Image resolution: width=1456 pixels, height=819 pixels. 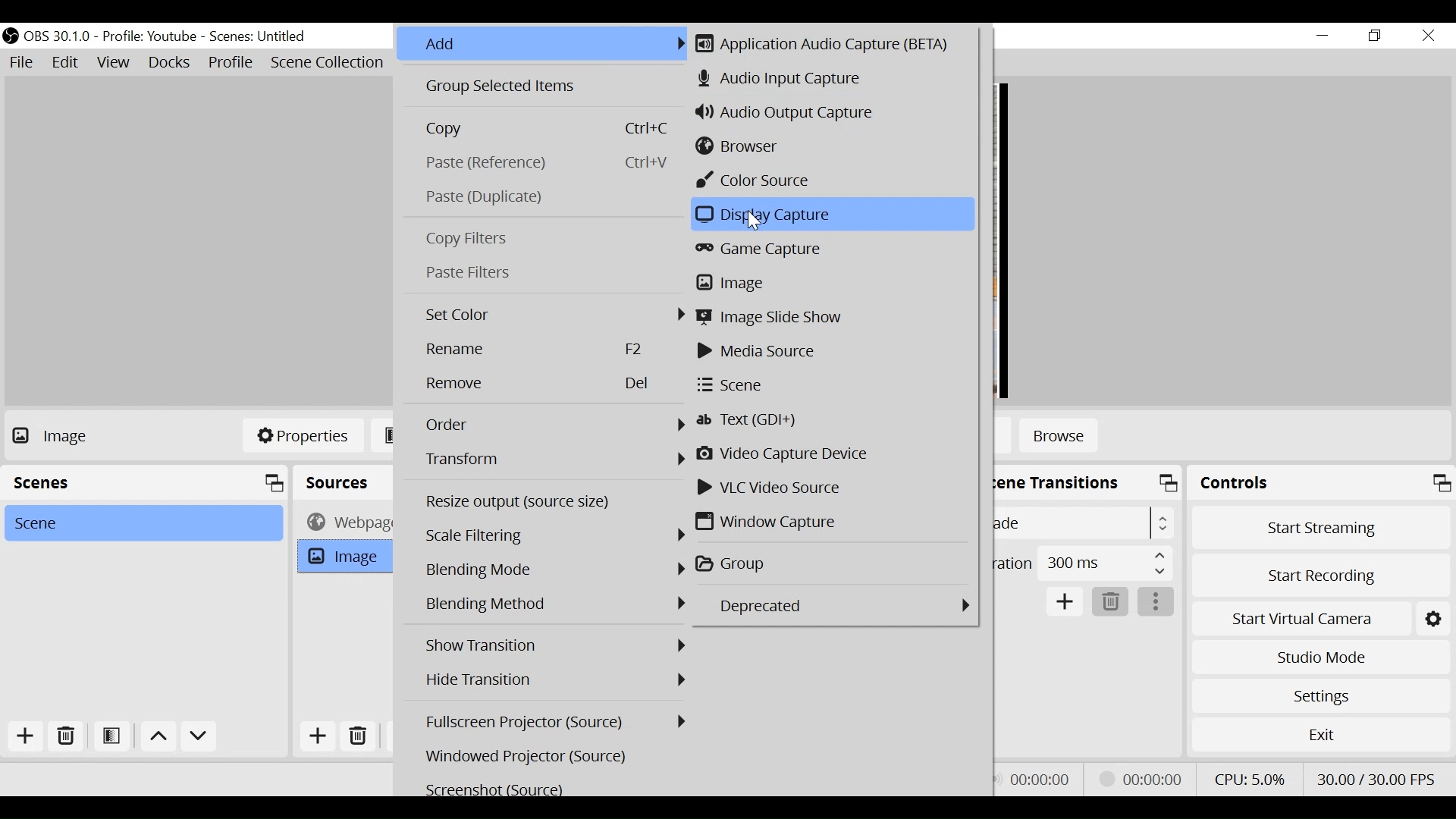 What do you see at coordinates (1039, 779) in the screenshot?
I see `Live Status` at bounding box center [1039, 779].